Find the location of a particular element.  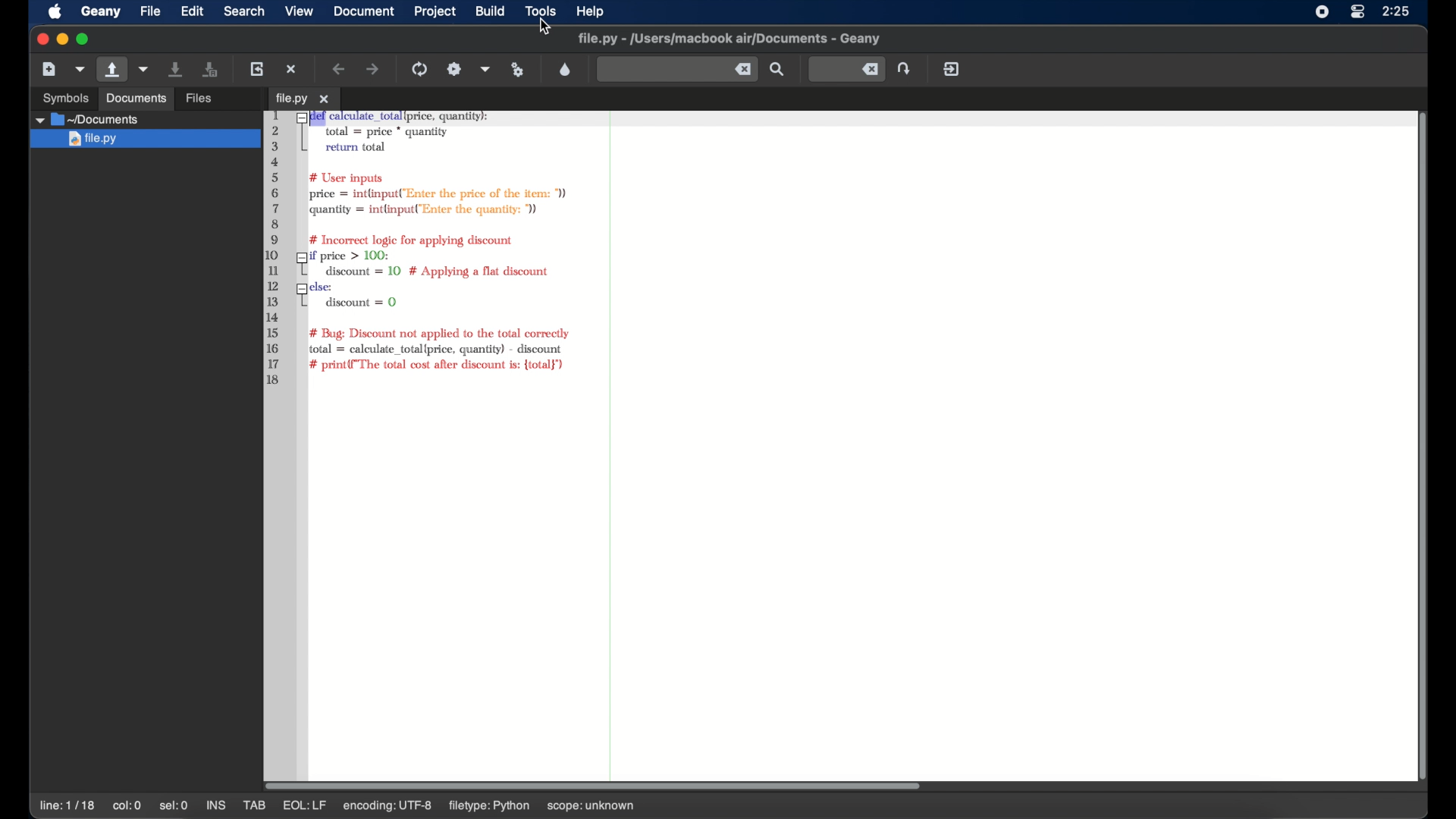

col:52 is located at coordinates (129, 807).